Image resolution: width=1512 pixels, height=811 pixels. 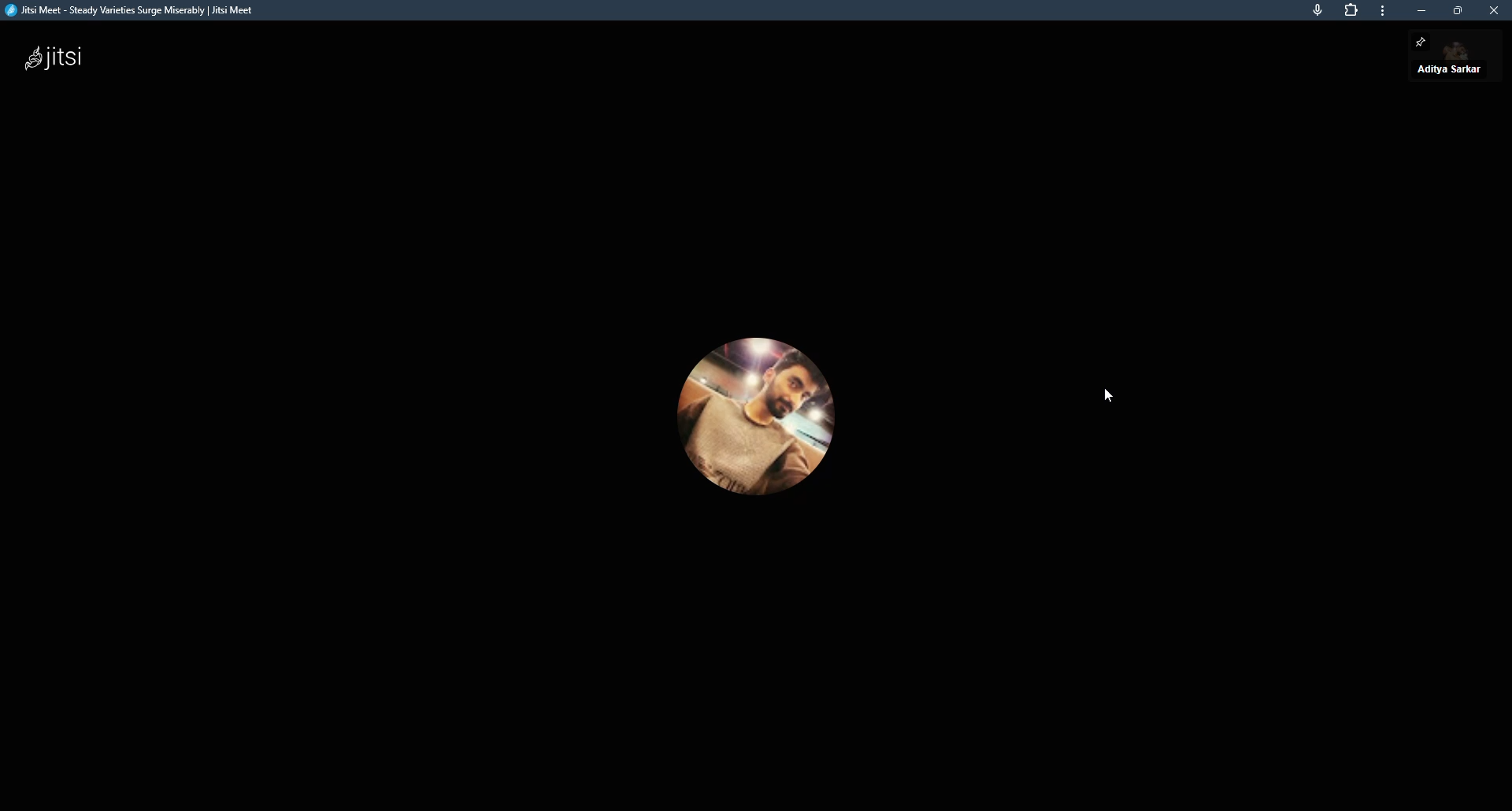 I want to click on minimize, so click(x=1423, y=10).